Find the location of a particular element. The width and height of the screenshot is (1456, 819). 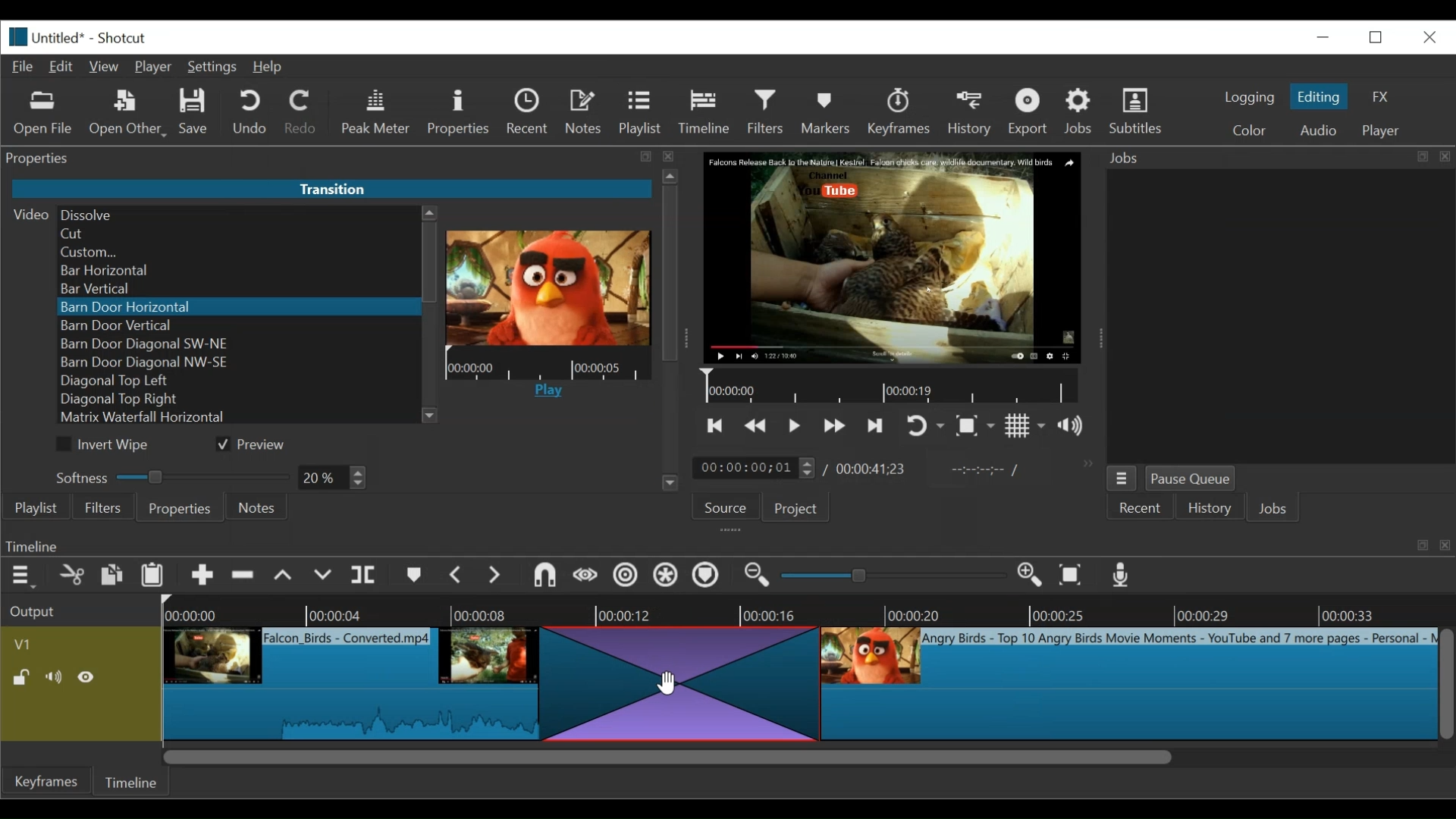

Open Other is located at coordinates (128, 114).